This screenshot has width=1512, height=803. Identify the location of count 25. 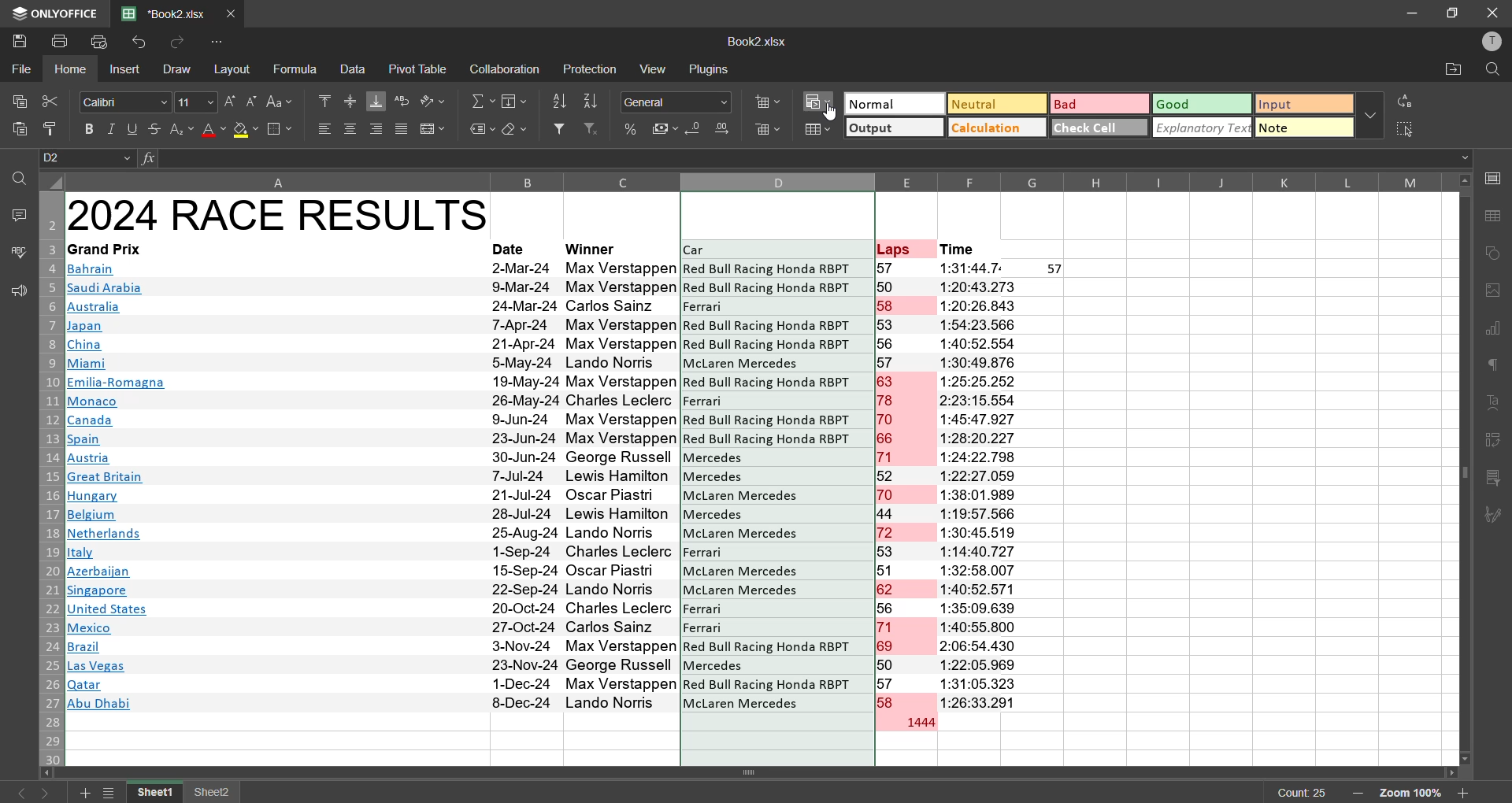
(1303, 793).